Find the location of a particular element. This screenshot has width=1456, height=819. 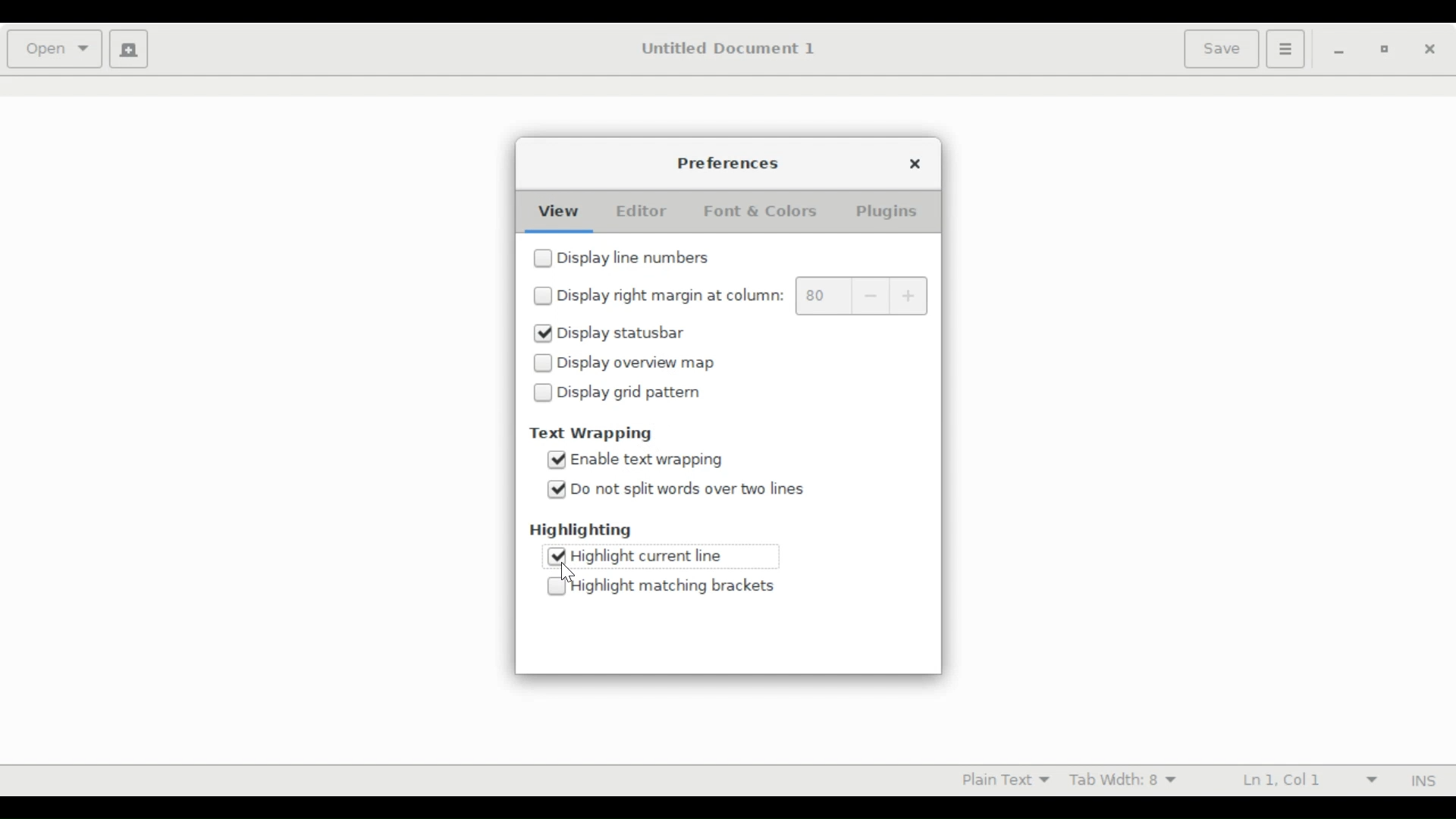

checkbox is located at coordinates (541, 297).